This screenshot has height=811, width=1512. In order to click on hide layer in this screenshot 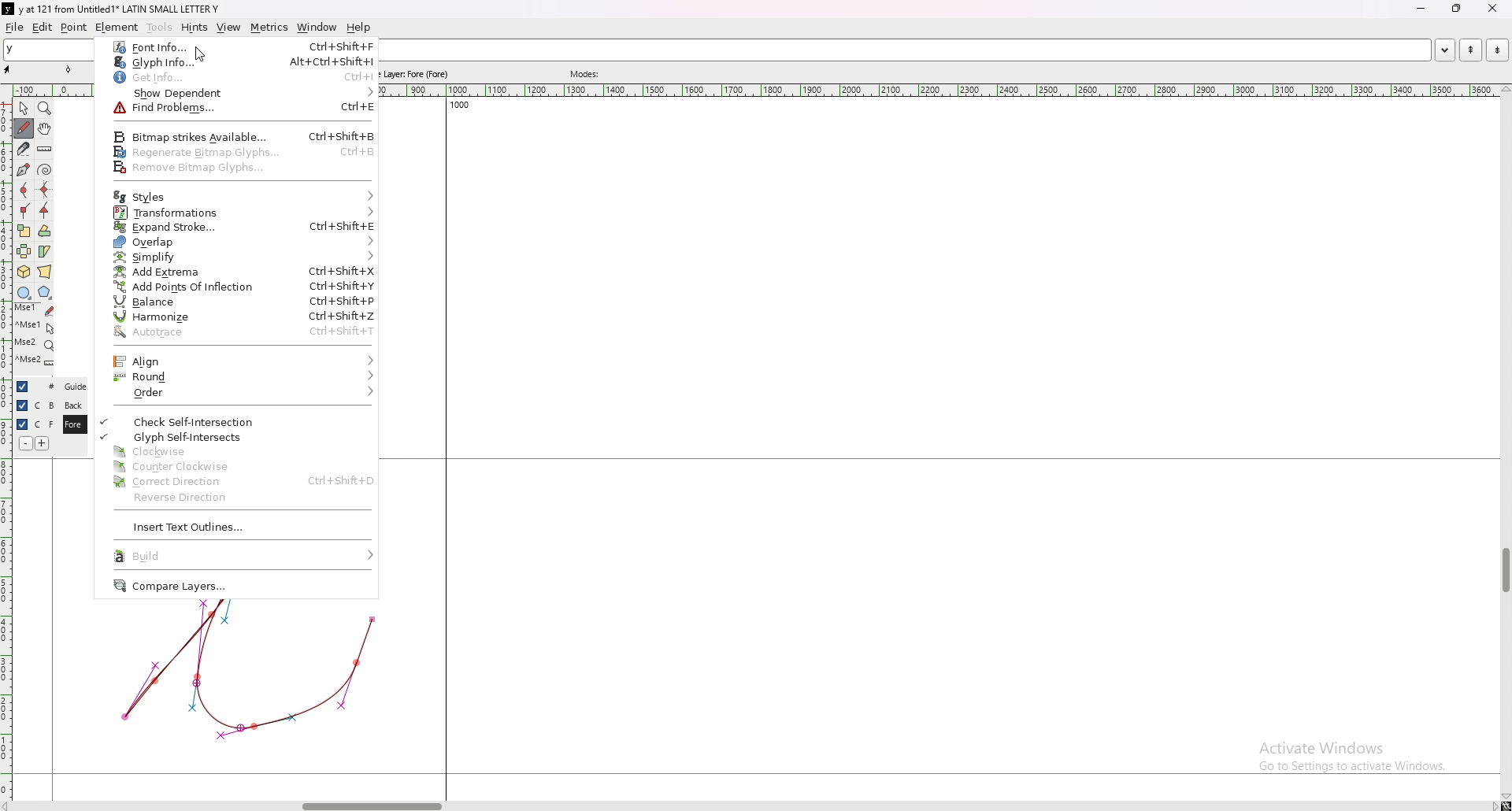, I will do `click(22, 405)`.